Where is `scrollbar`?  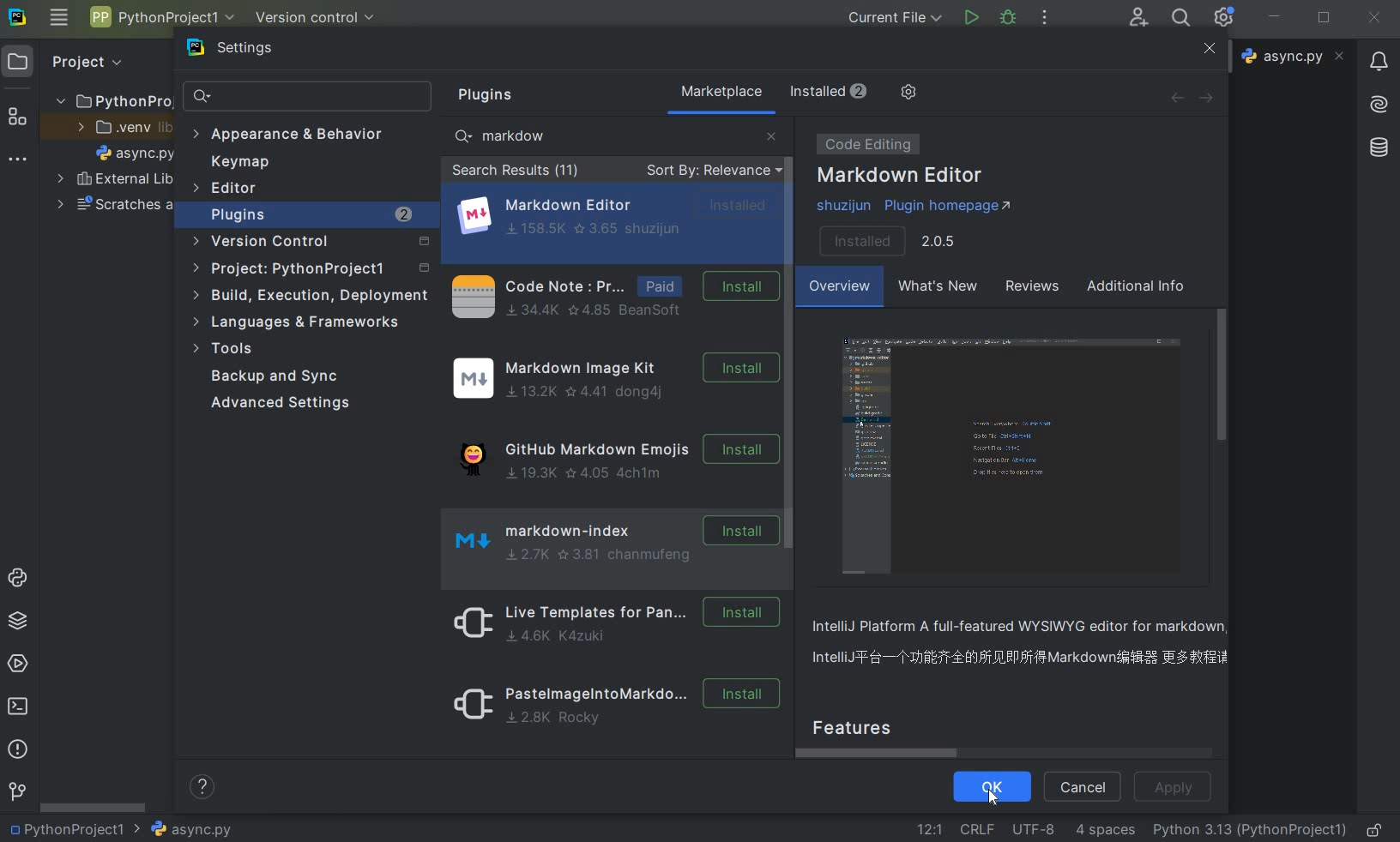
scrollbar is located at coordinates (792, 338).